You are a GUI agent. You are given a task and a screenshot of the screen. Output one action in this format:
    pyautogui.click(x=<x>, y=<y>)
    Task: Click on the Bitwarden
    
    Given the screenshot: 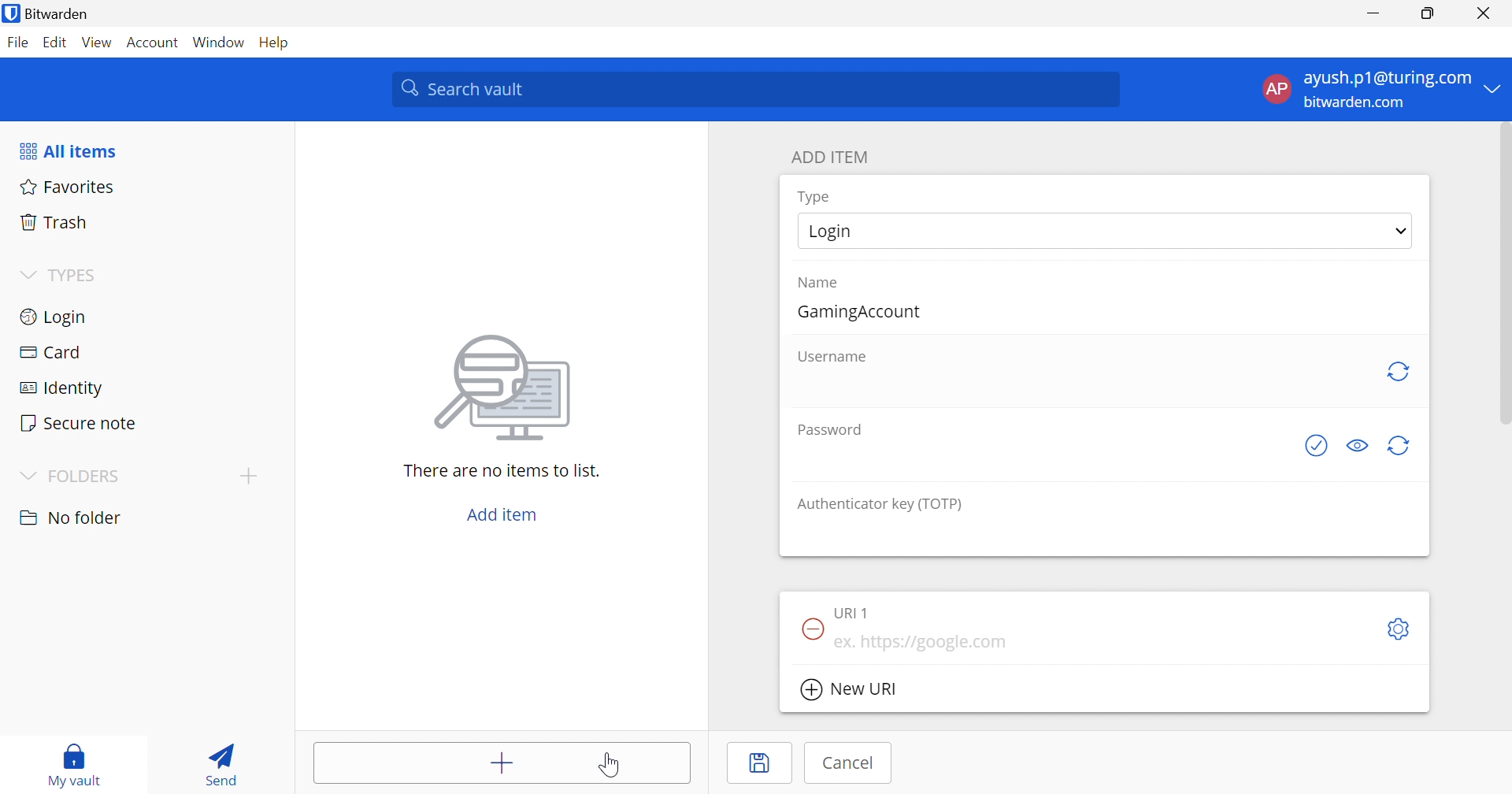 What is the action you would take?
    pyautogui.click(x=46, y=13)
    